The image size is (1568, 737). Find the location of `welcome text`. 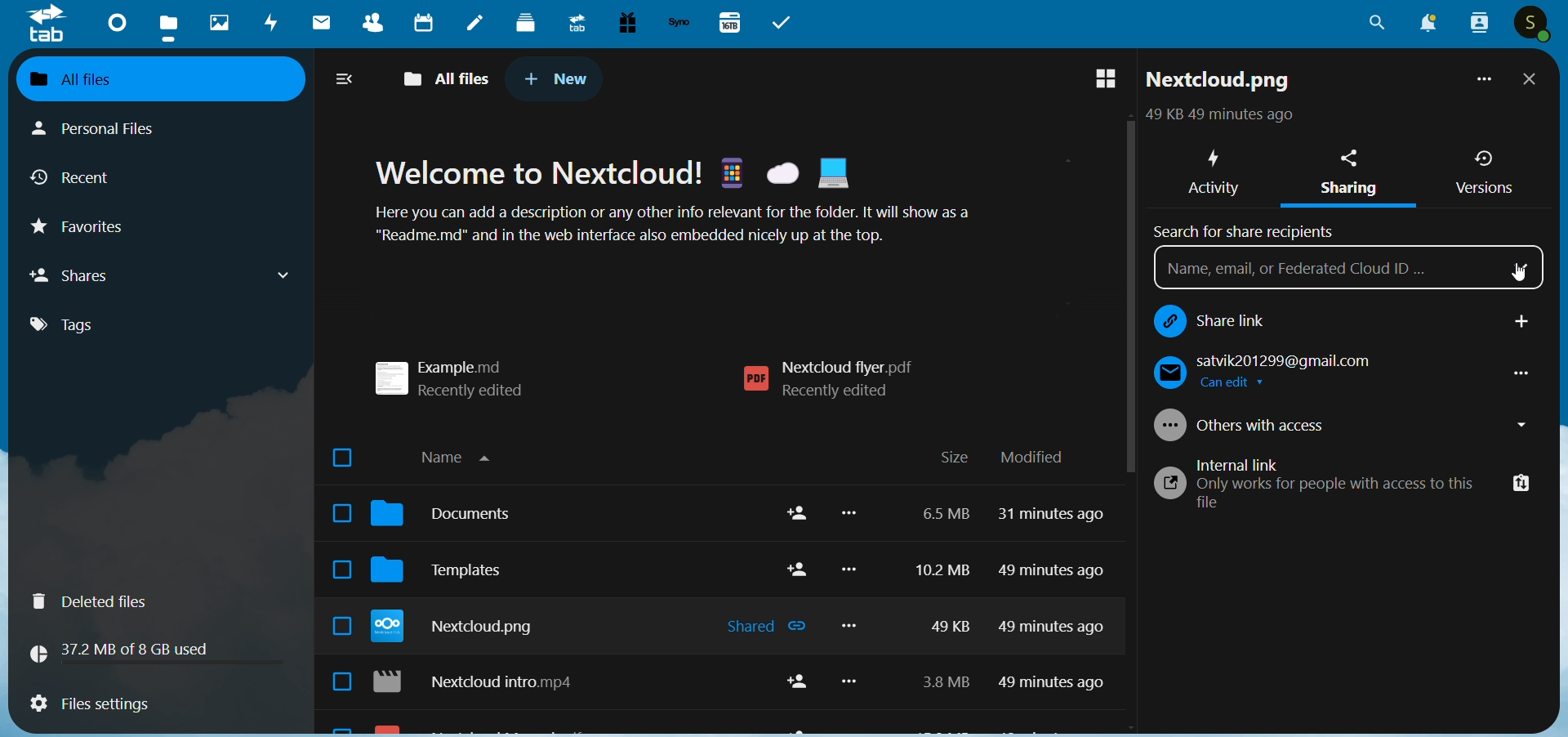

welcome text is located at coordinates (696, 205).